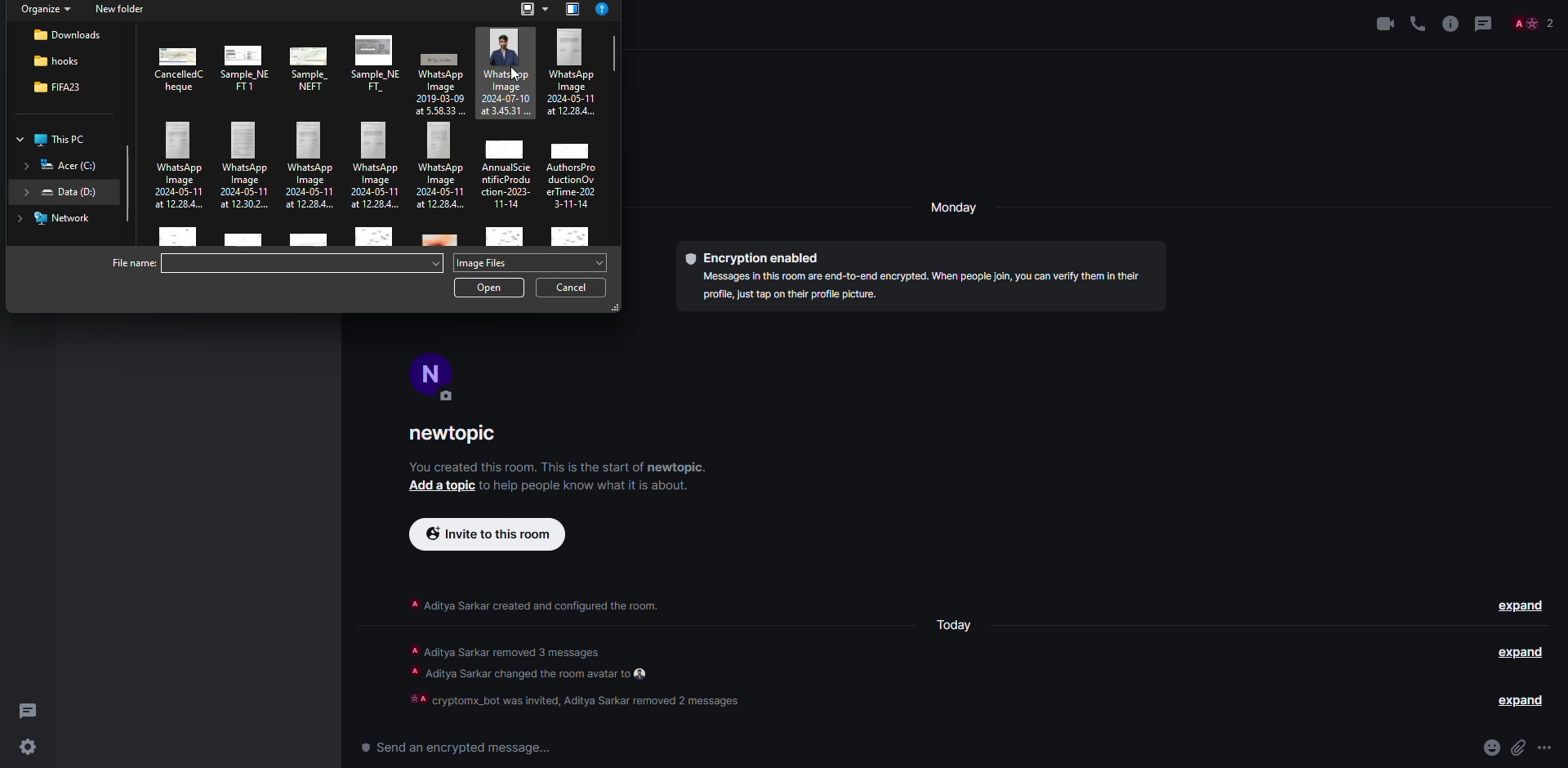  Describe the element at coordinates (506, 239) in the screenshot. I see `click to select` at that location.